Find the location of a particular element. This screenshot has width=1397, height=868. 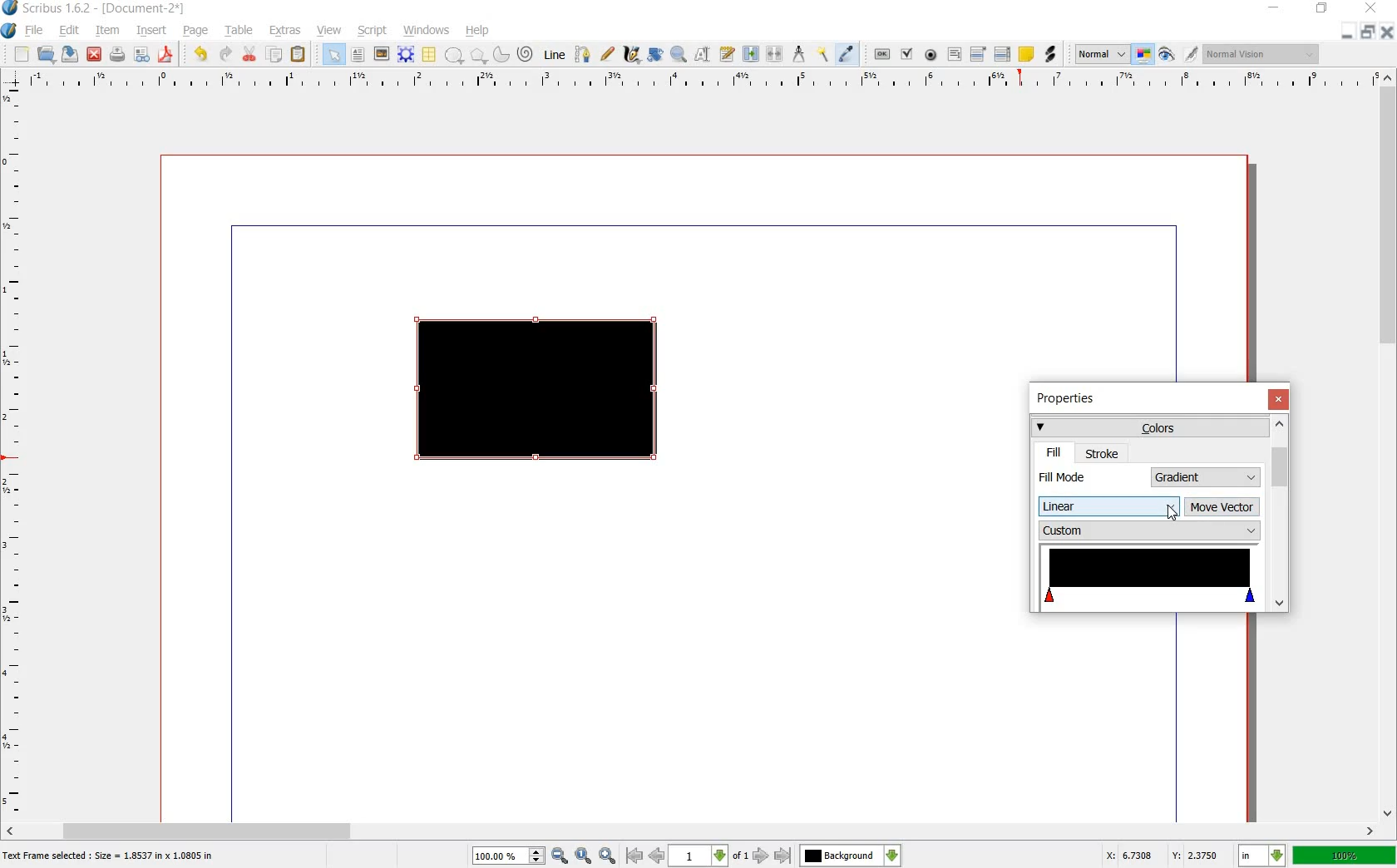

zoom in is located at coordinates (608, 856).